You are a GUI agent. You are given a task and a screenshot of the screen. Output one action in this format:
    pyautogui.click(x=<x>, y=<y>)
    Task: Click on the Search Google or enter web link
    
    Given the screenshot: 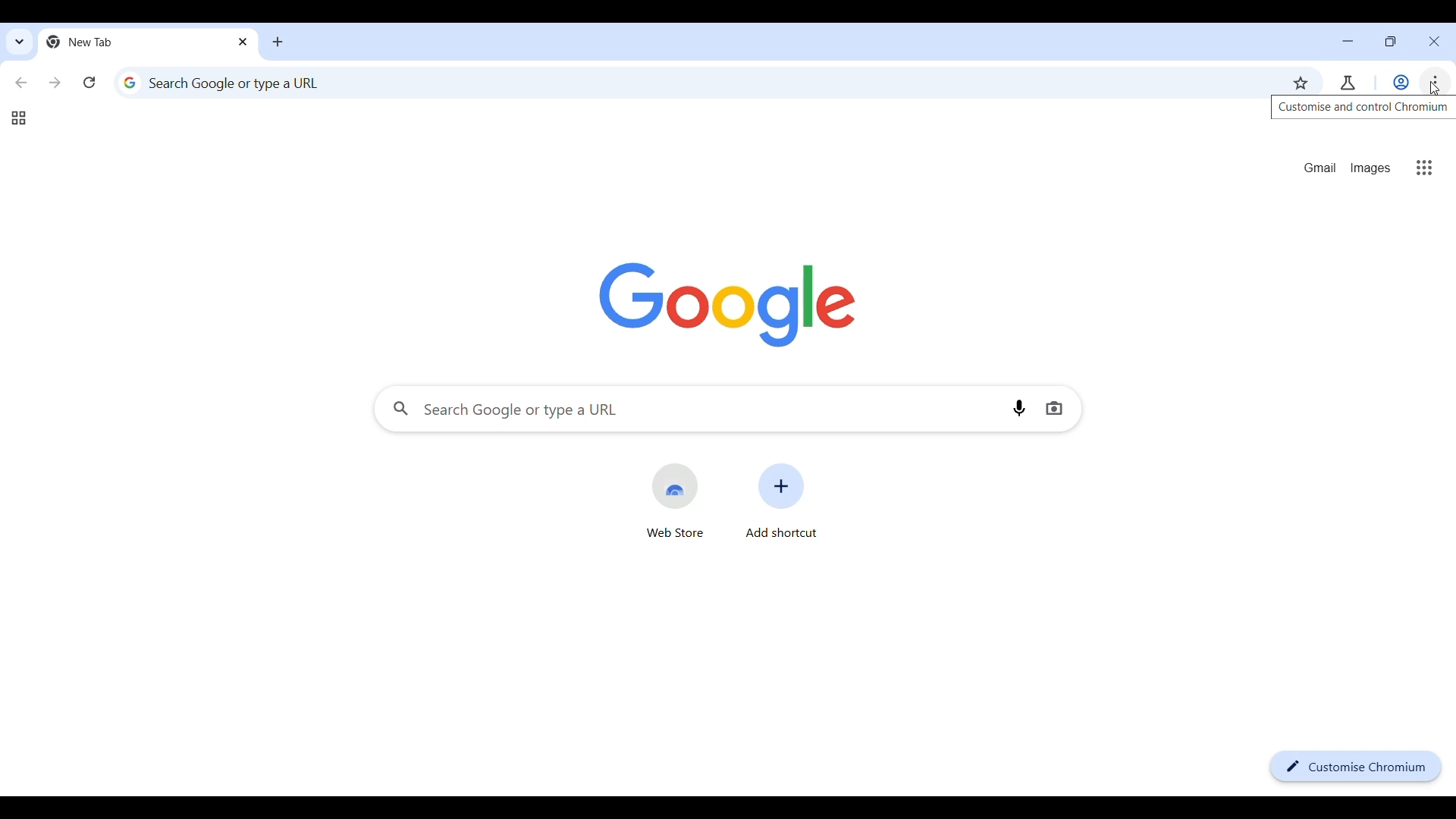 What is the action you would take?
    pyautogui.click(x=693, y=83)
    